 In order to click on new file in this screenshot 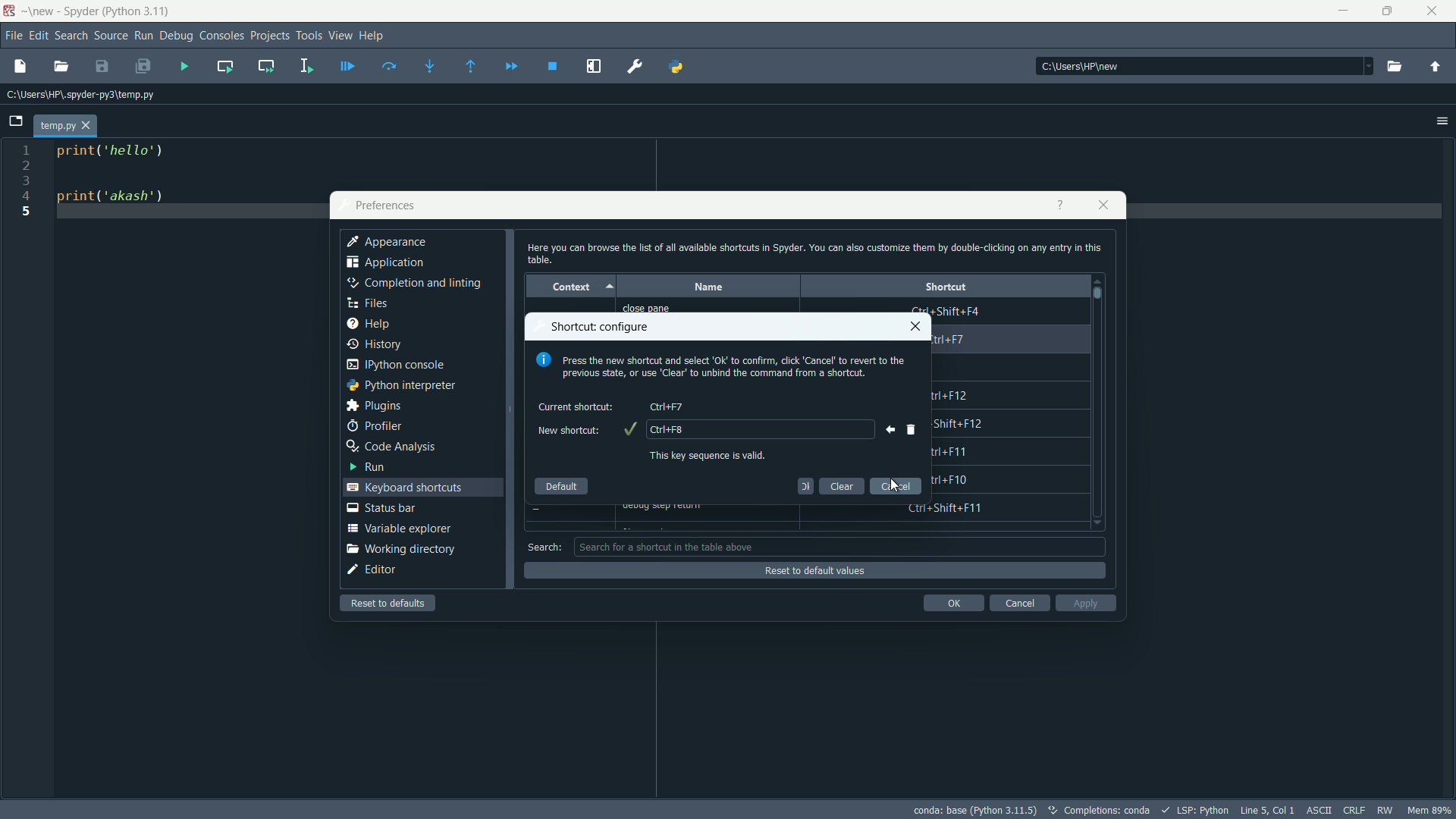, I will do `click(19, 65)`.